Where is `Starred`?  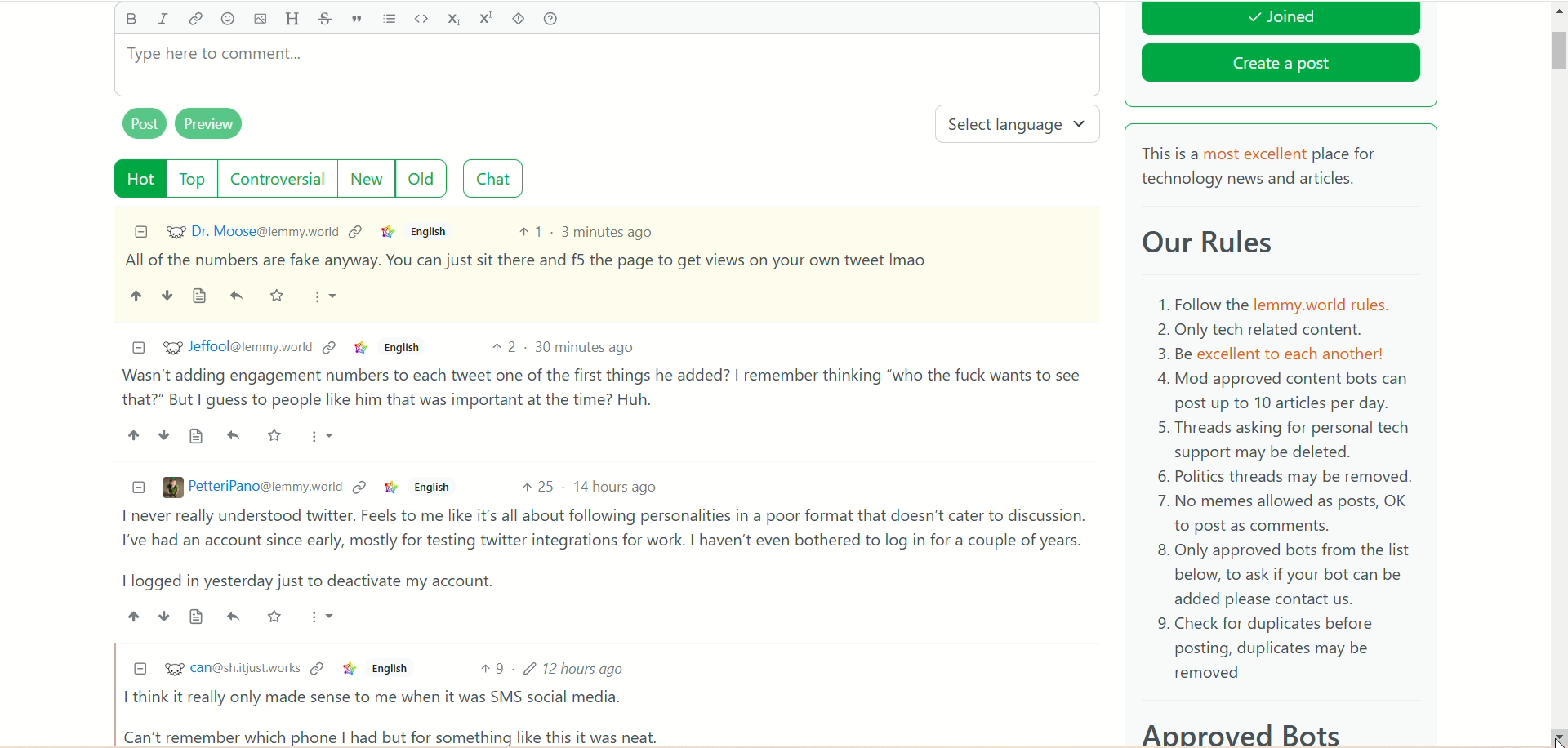 Starred is located at coordinates (276, 616).